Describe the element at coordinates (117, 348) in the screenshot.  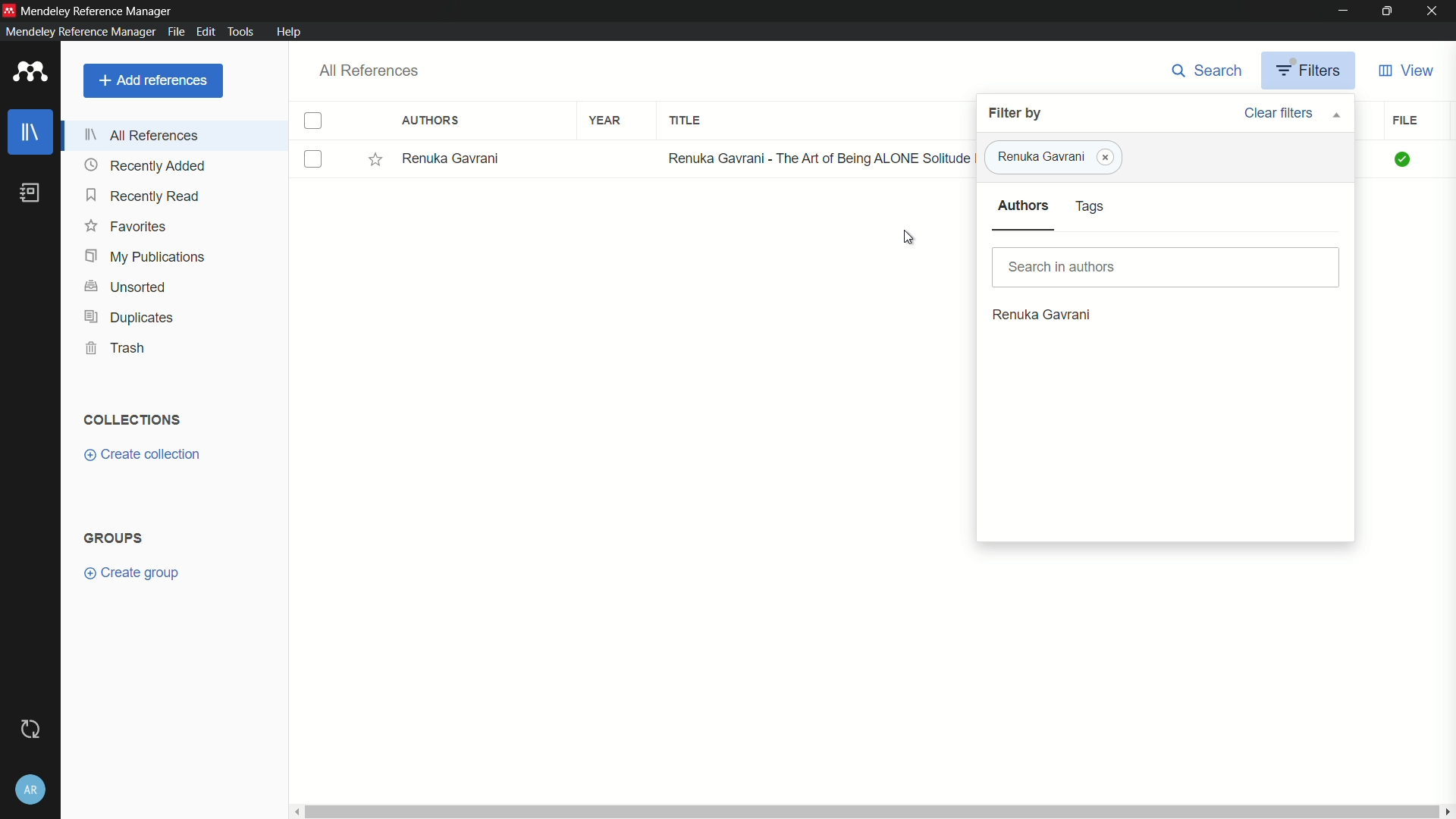
I see `trash` at that location.